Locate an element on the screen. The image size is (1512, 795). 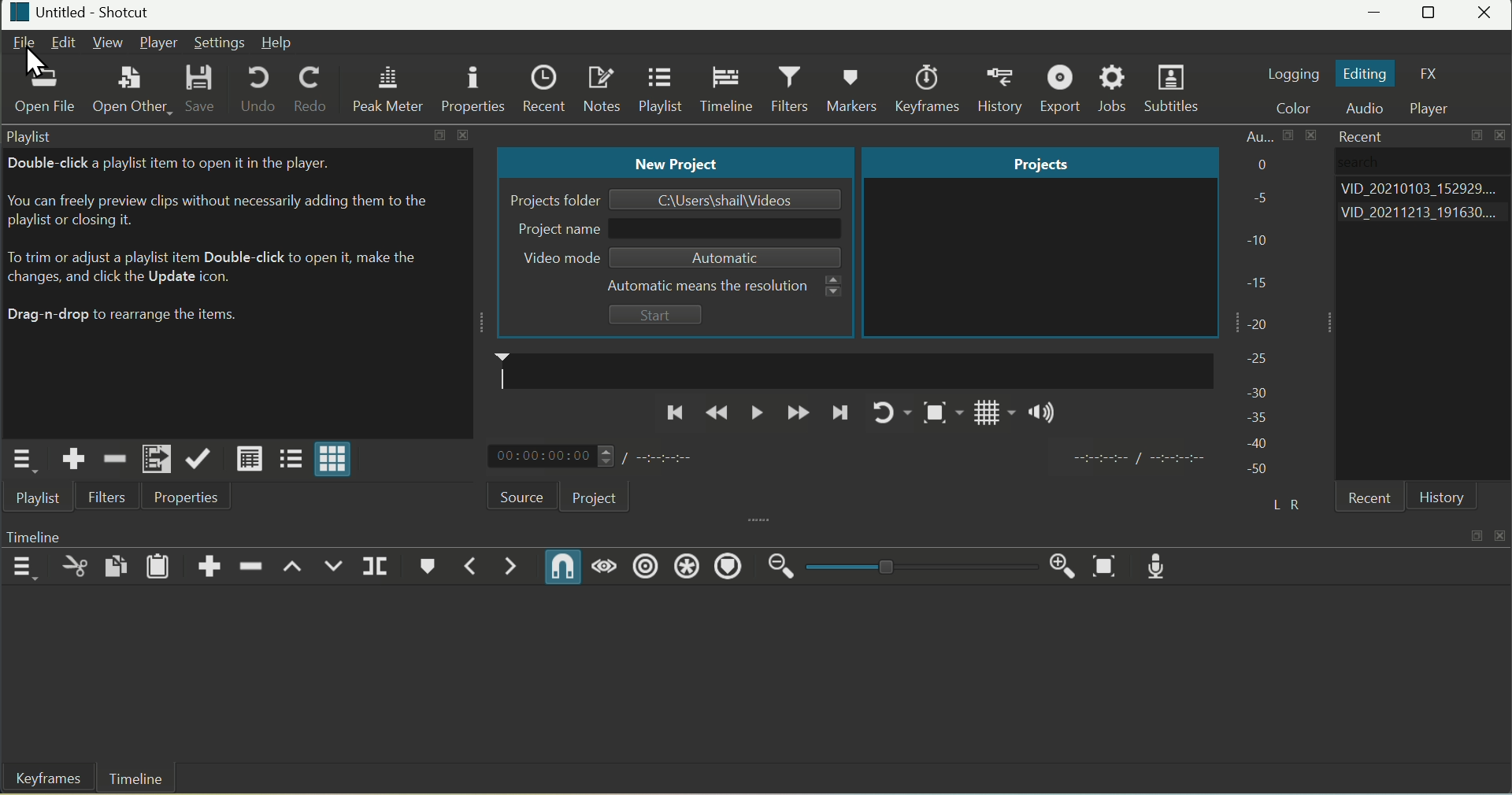
Audio is located at coordinates (1370, 109).